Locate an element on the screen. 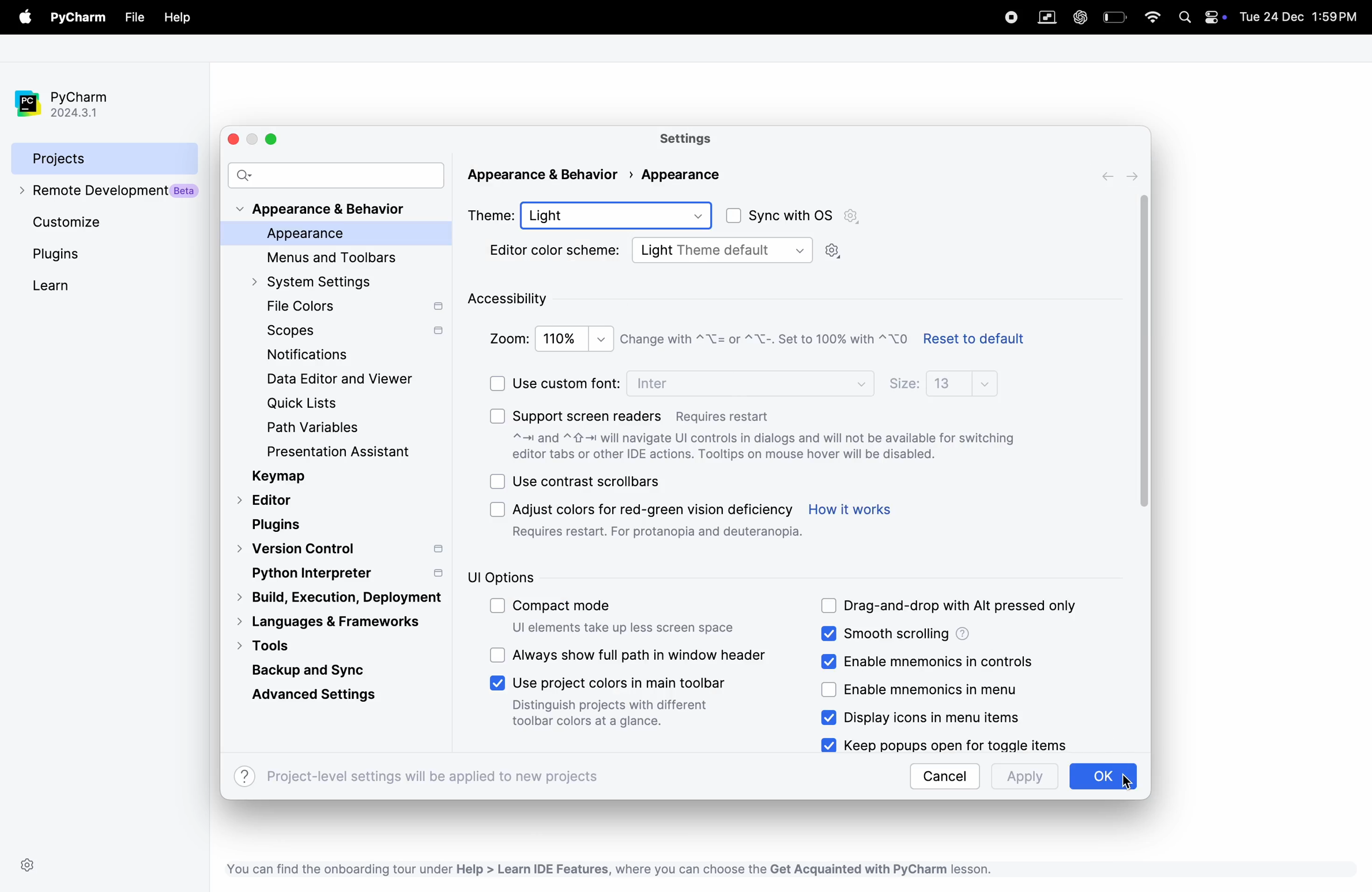  plugins is located at coordinates (277, 524).